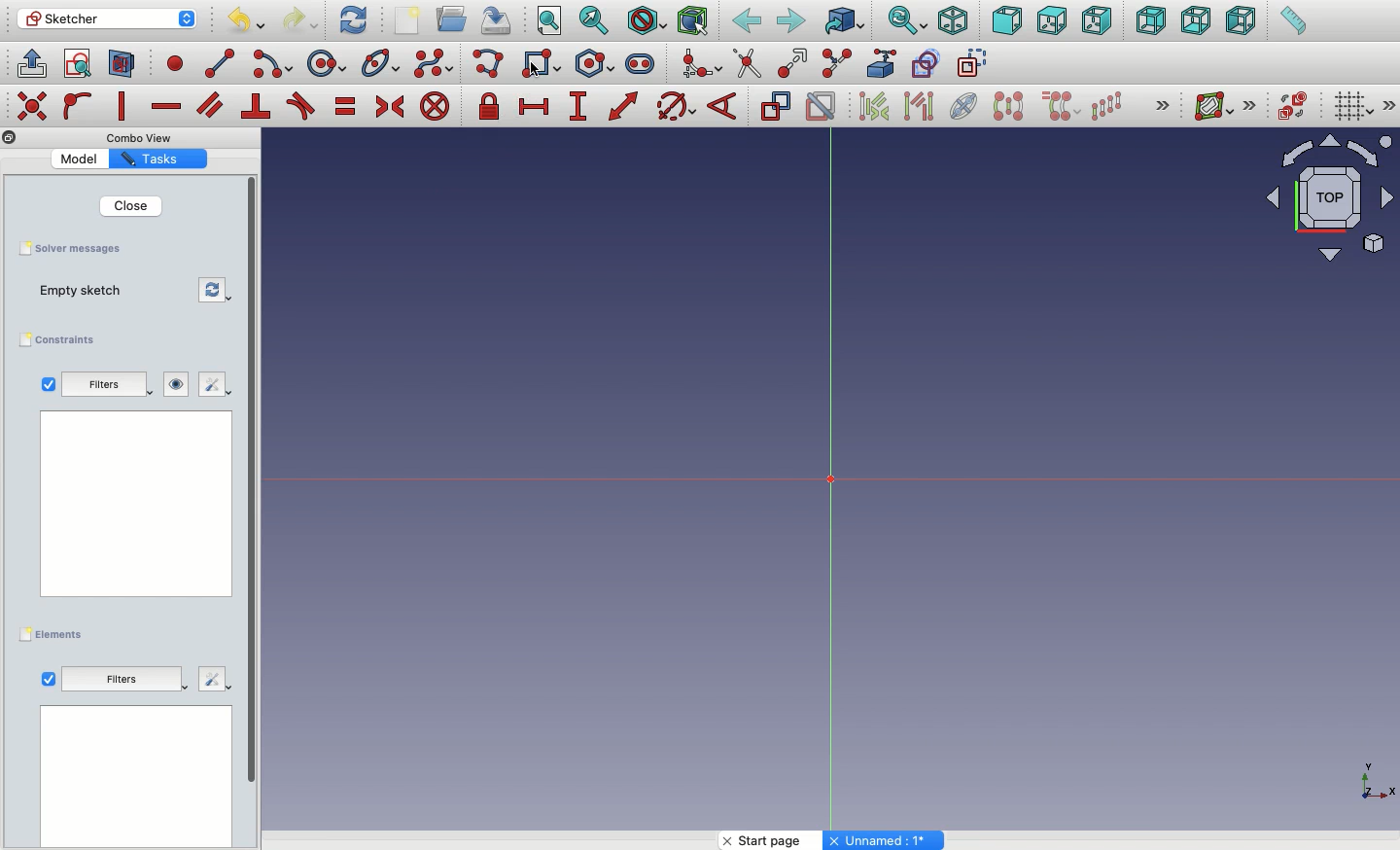 The image size is (1400, 850). Describe the element at coordinates (952, 22) in the screenshot. I see `Isometric` at that location.